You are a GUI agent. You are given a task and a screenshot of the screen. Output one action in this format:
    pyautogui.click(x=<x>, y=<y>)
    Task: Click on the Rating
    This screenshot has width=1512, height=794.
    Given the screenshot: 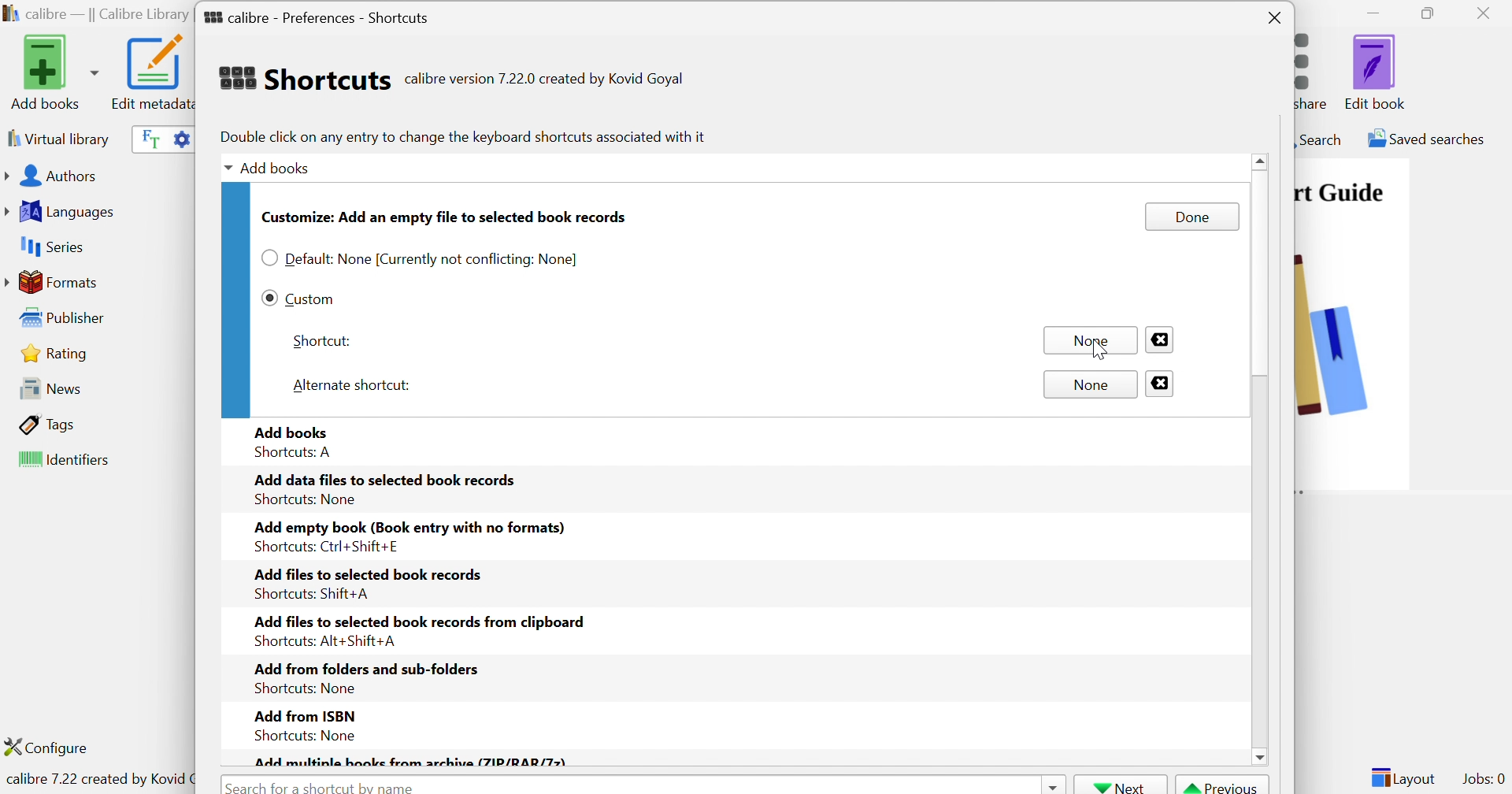 What is the action you would take?
    pyautogui.click(x=57, y=353)
    